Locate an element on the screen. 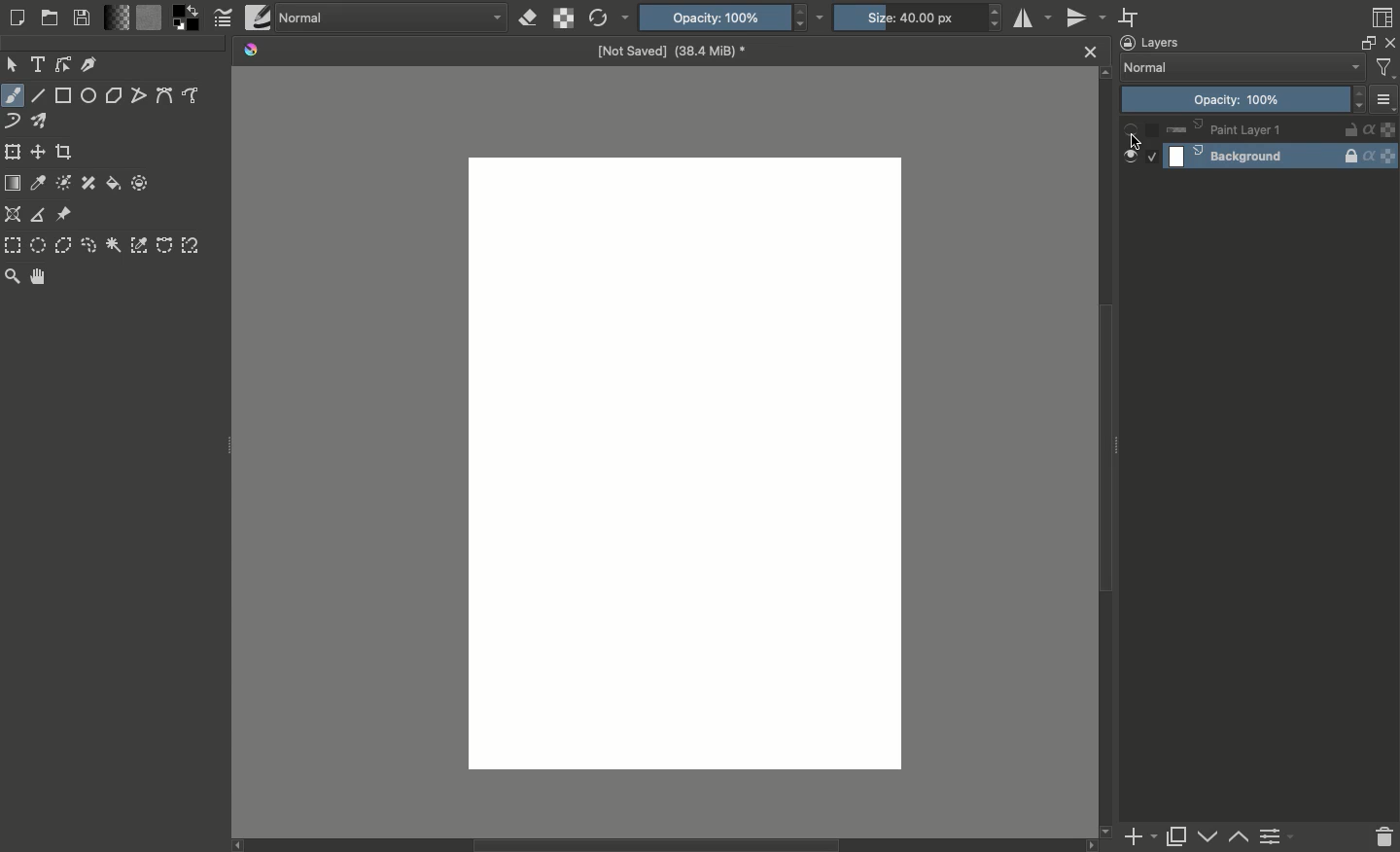 The height and width of the screenshot is (852, 1400). Polygon is located at coordinates (116, 94).